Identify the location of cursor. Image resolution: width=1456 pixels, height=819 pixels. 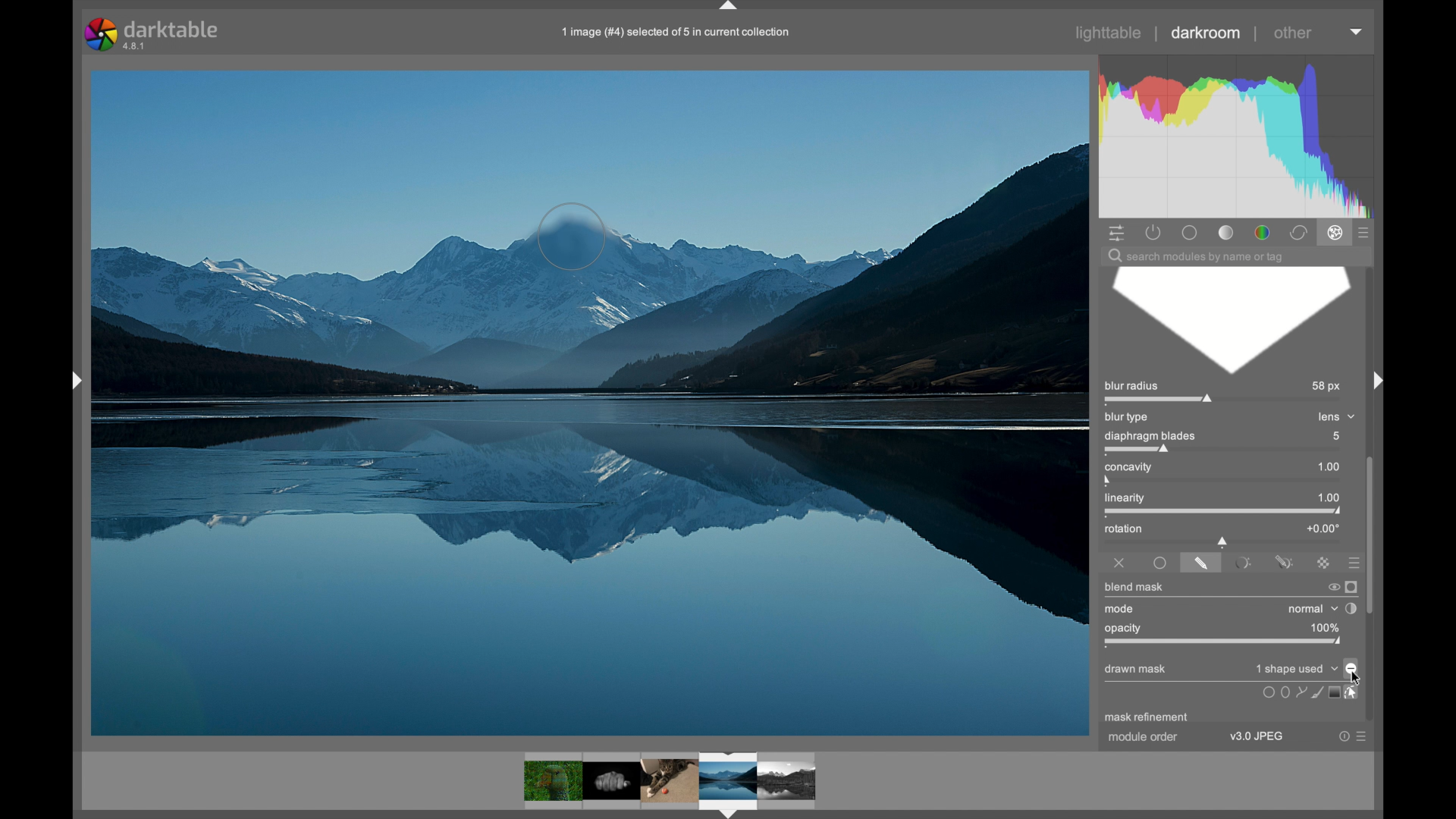
(1354, 677).